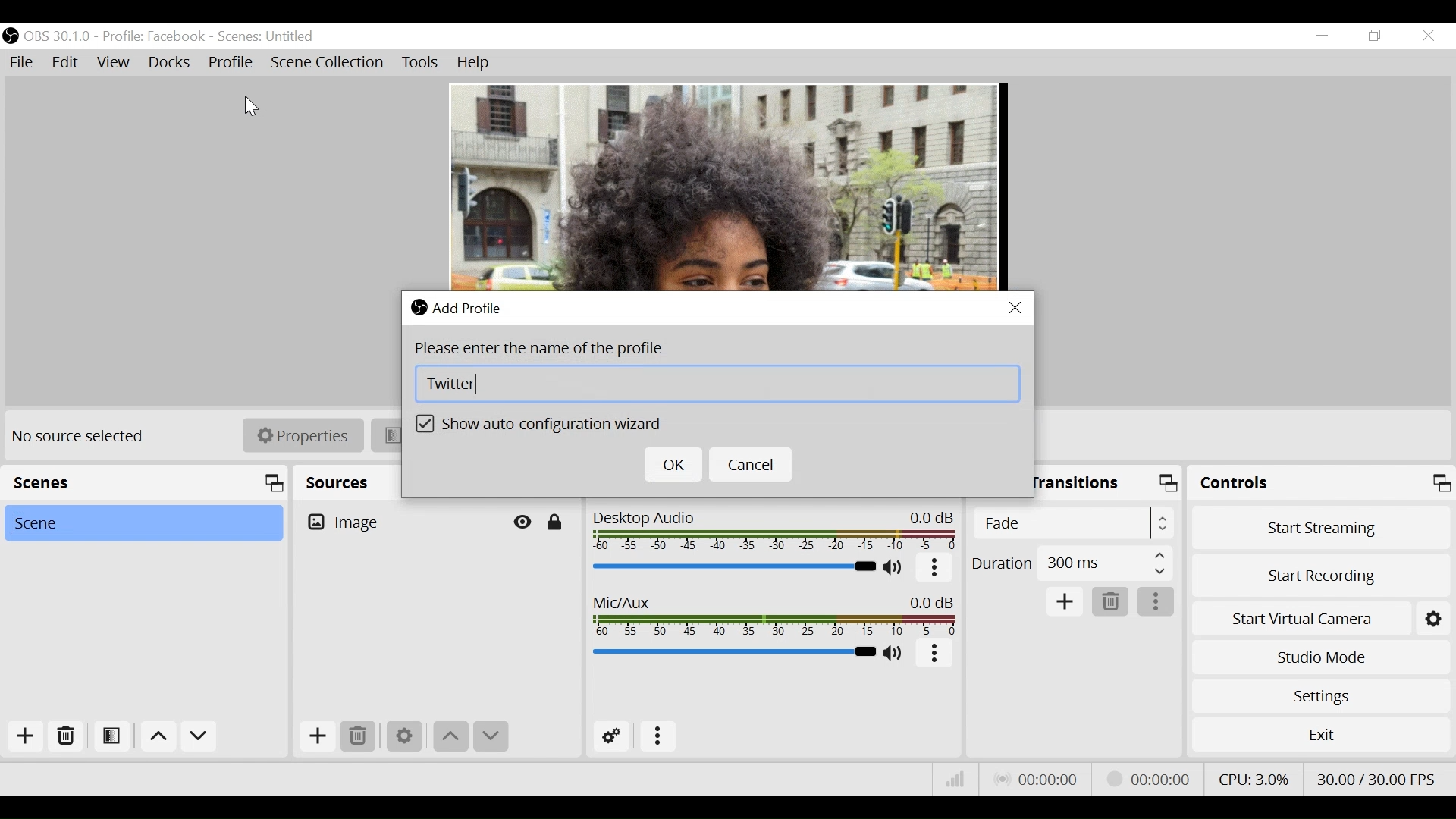 The width and height of the screenshot is (1456, 819). Describe the element at coordinates (1111, 601) in the screenshot. I see `Delete` at that location.